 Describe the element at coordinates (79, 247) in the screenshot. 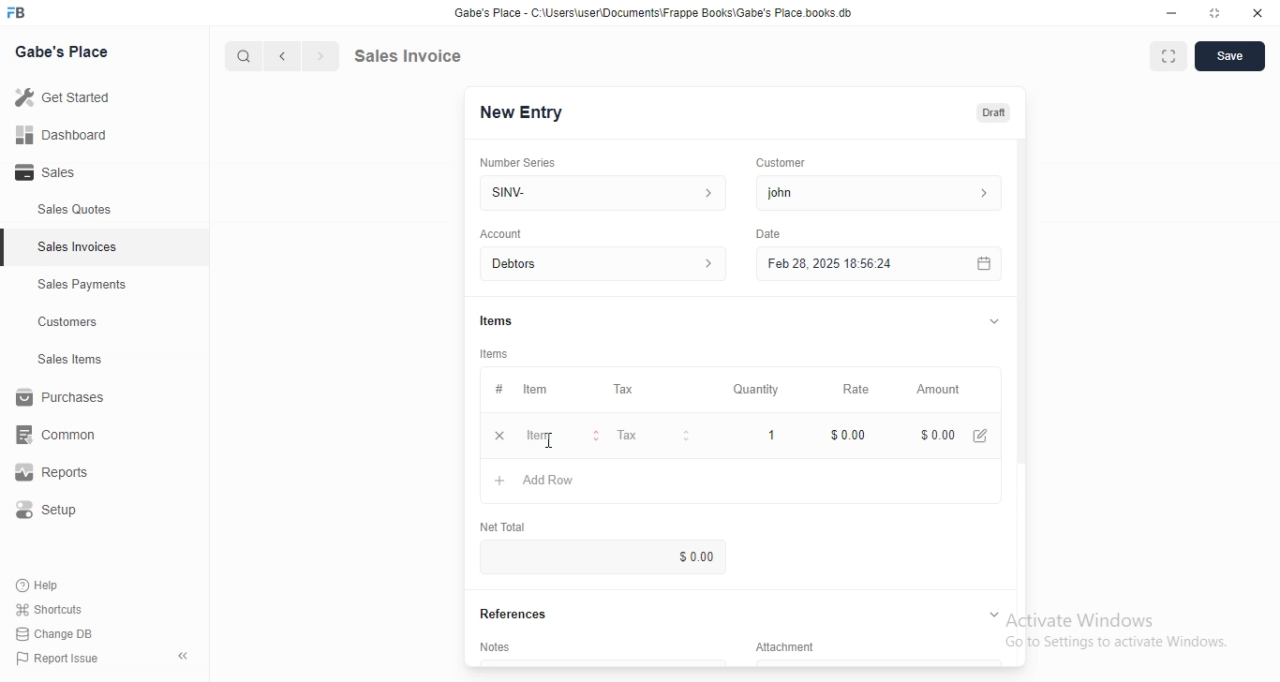

I see `Sales Invoices` at that location.